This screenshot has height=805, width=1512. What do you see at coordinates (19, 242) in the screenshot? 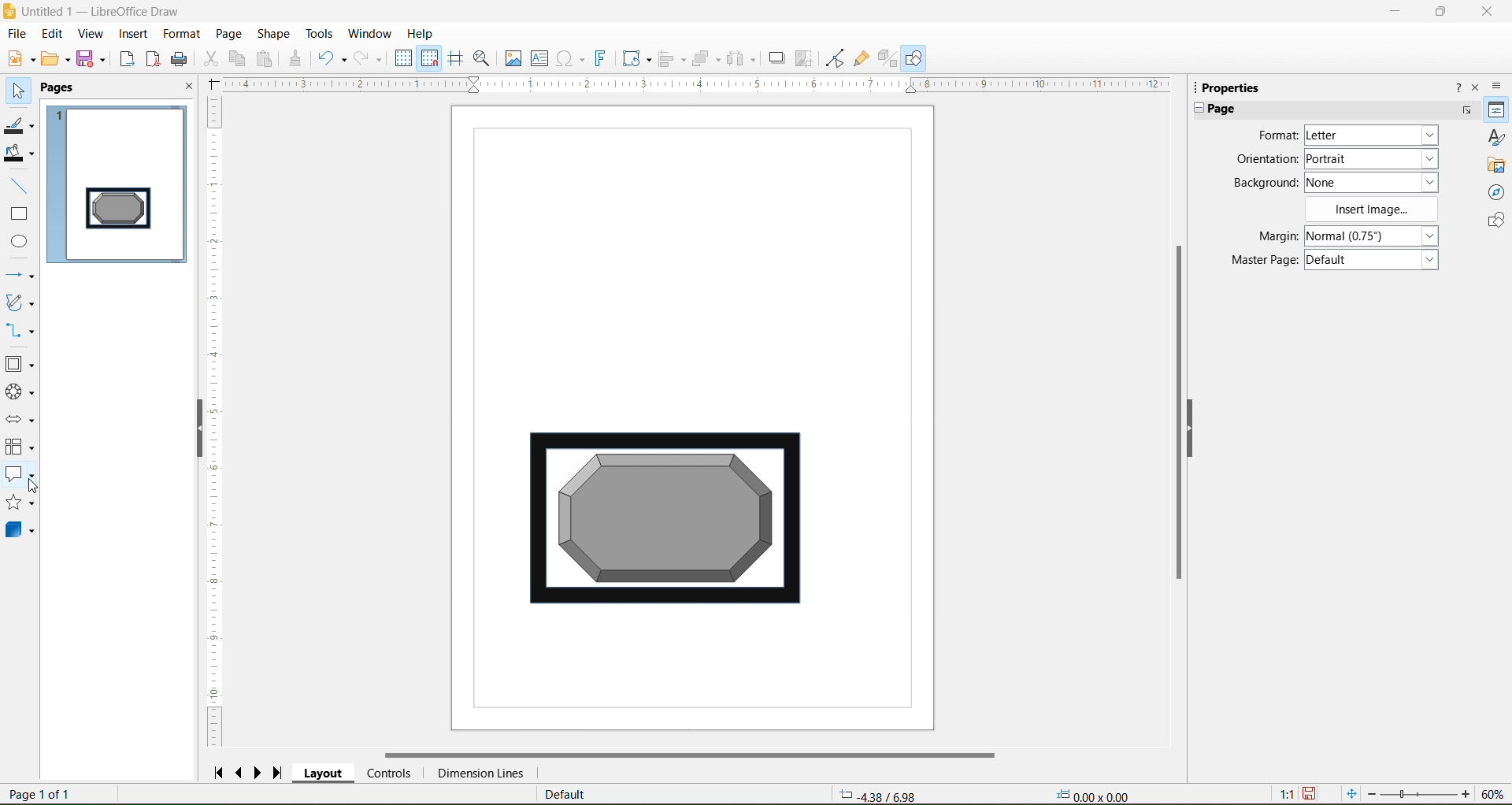
I see `Elipse` at bounding box center [19, 242].